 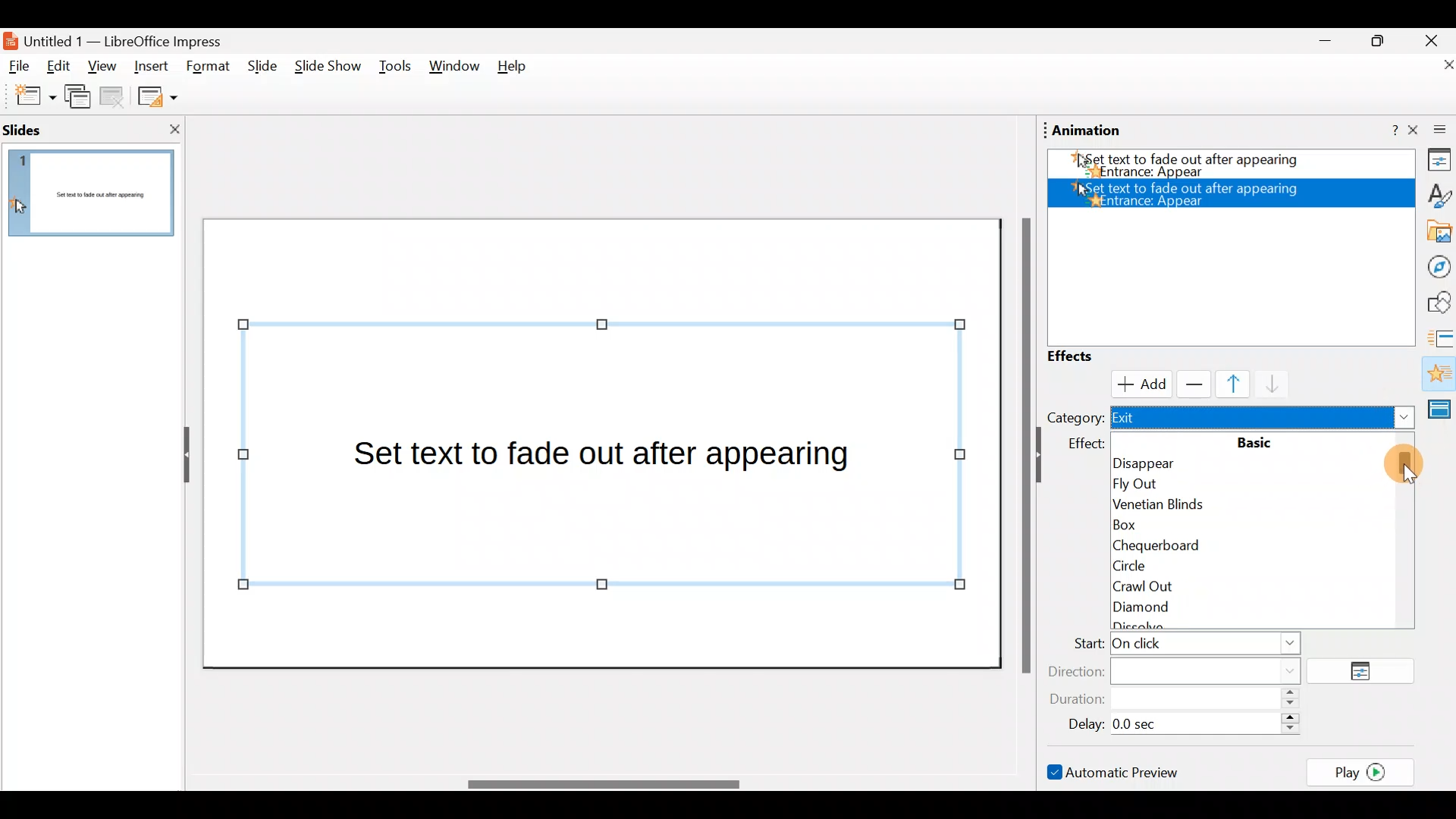 I want to click on Chequerboard, so click(x=1169, y=544).